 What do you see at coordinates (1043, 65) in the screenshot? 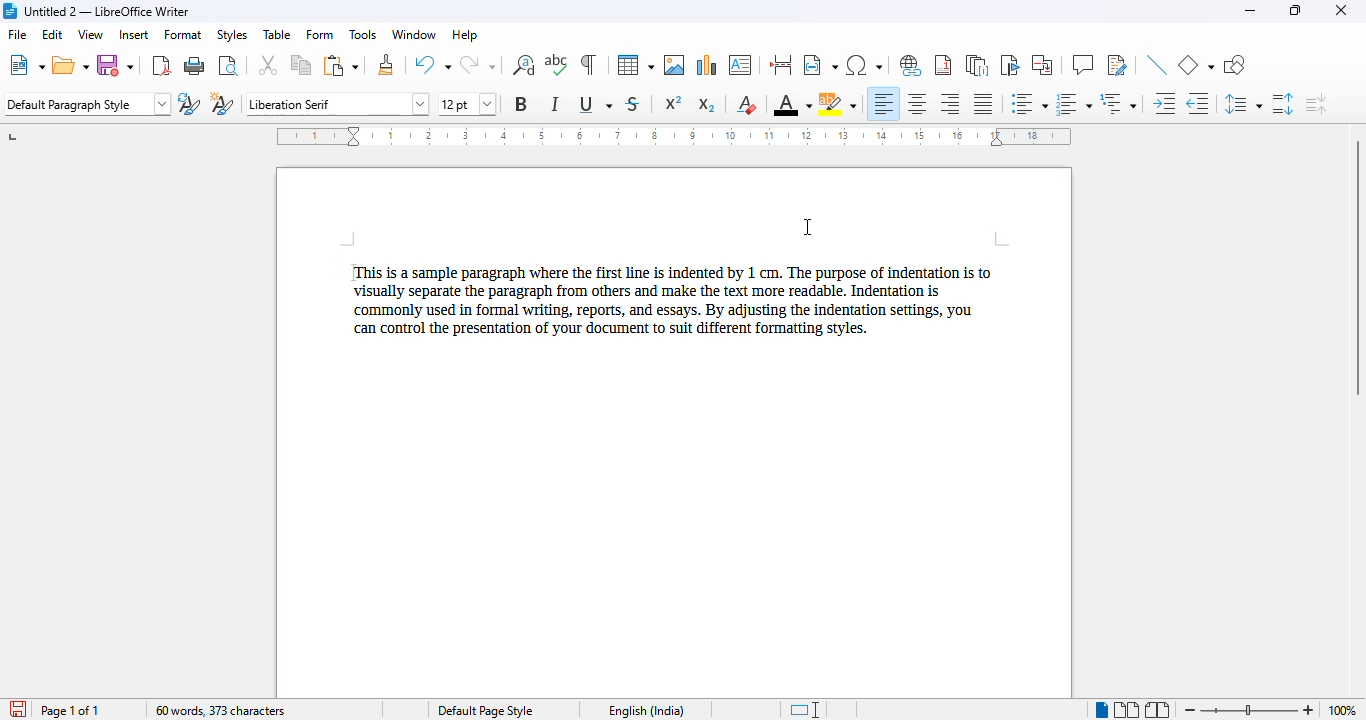
I see `insert cross-reference` at bounding box center [1043, 65].